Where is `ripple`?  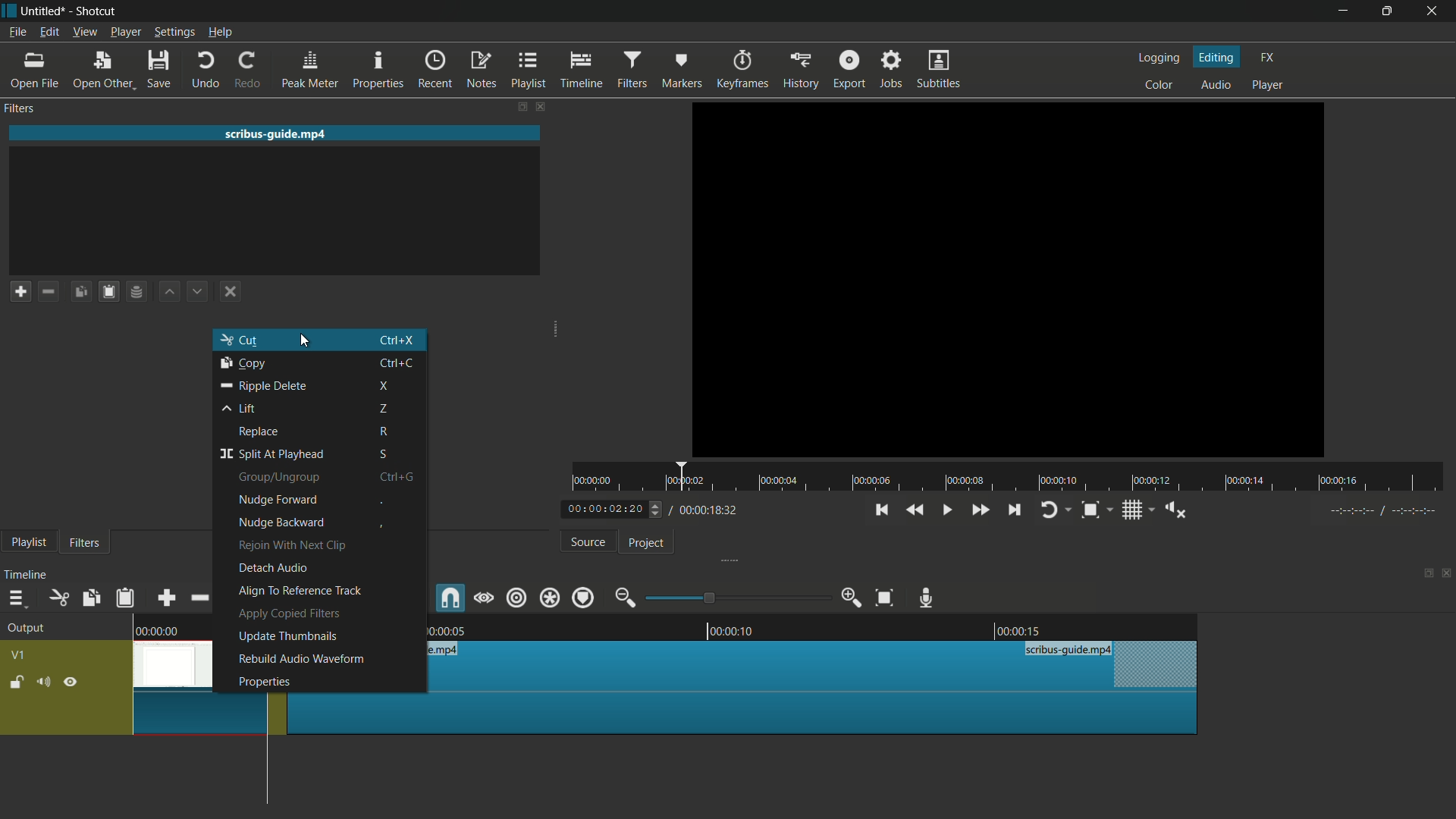 ripple is located at coordinates (515, 597).